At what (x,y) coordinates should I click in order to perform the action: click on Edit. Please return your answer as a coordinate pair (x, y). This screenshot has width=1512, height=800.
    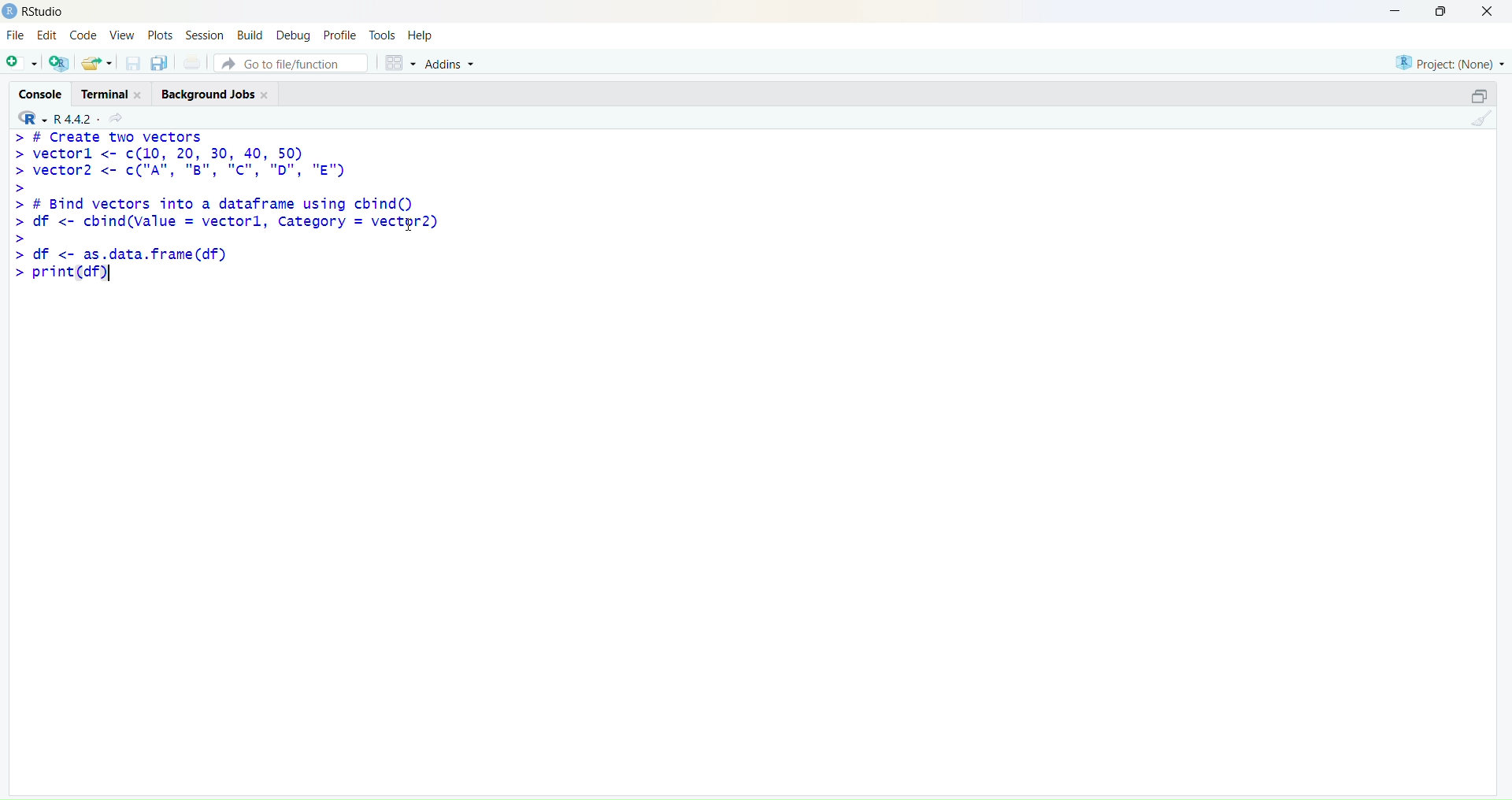
    Looking at the image, I should click on (48, 35).